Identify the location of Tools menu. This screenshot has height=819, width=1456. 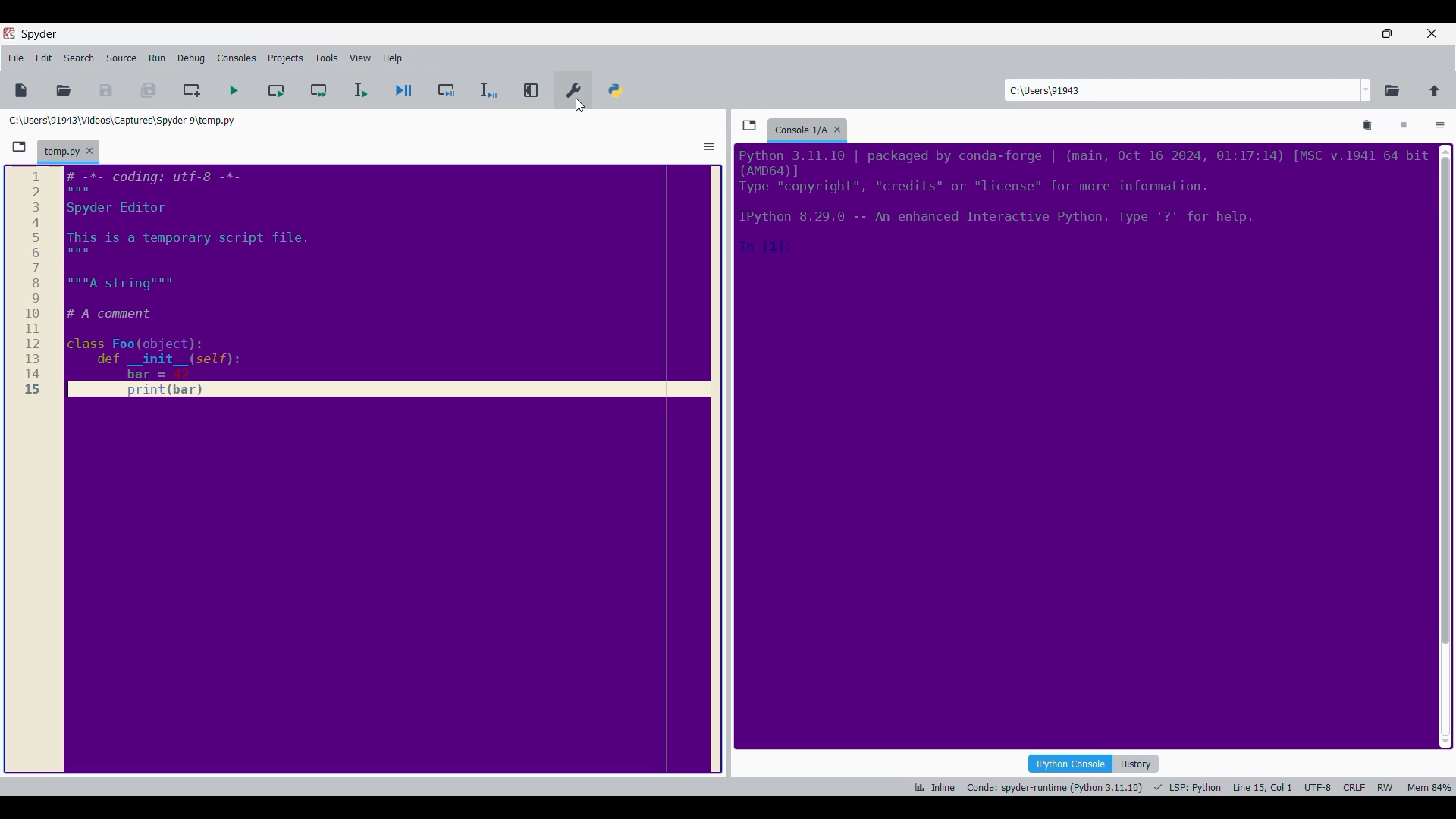
(327, 58).